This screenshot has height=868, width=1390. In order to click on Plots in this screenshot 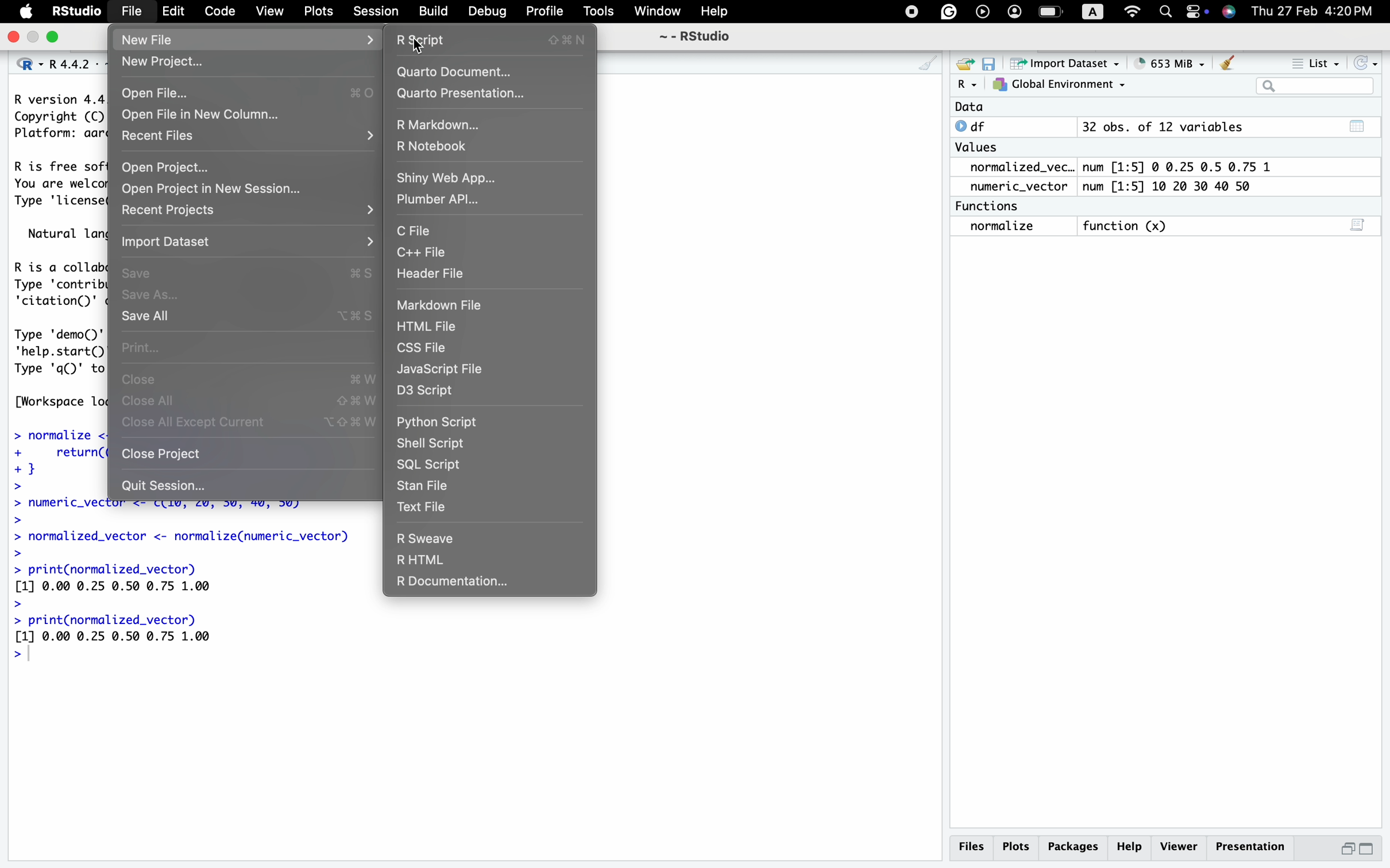, I will do `click(321, 11)`.